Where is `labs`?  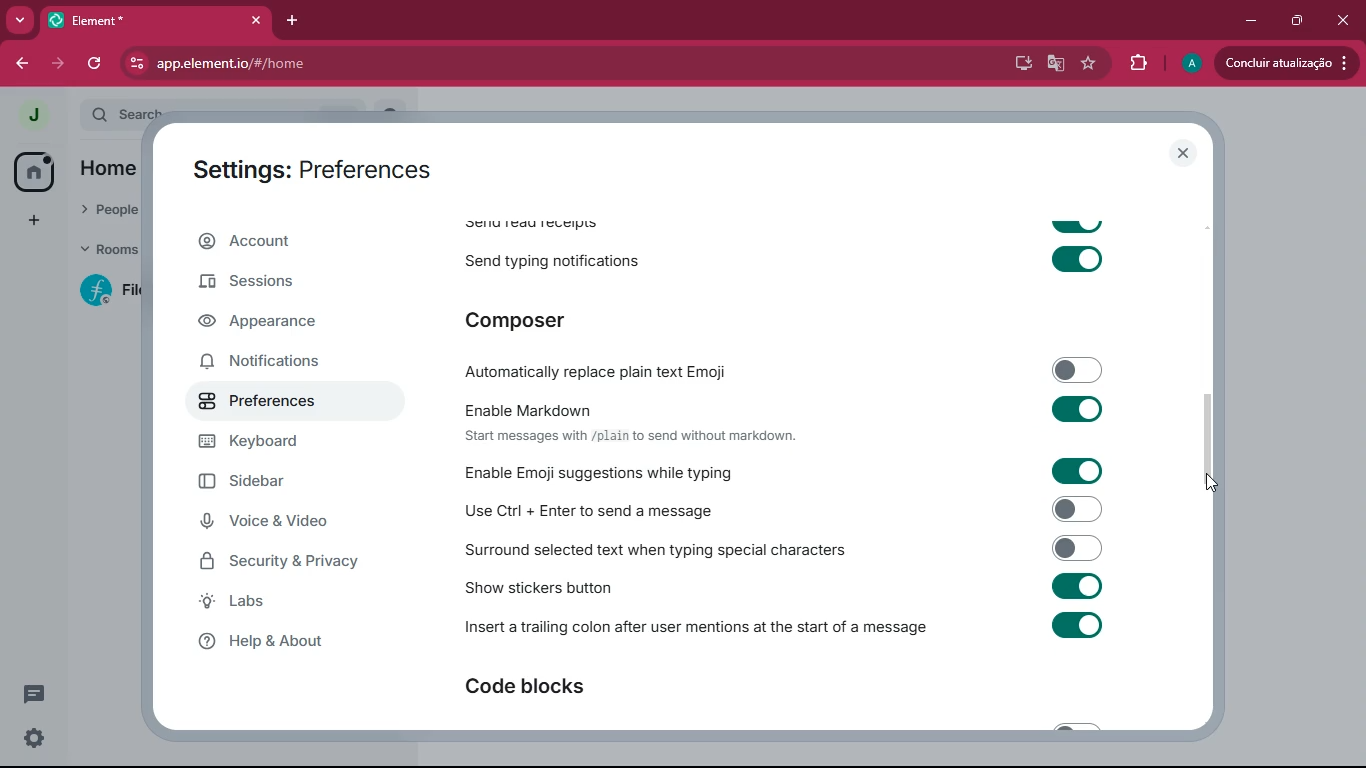
labs is located at coordinates (266, 602).